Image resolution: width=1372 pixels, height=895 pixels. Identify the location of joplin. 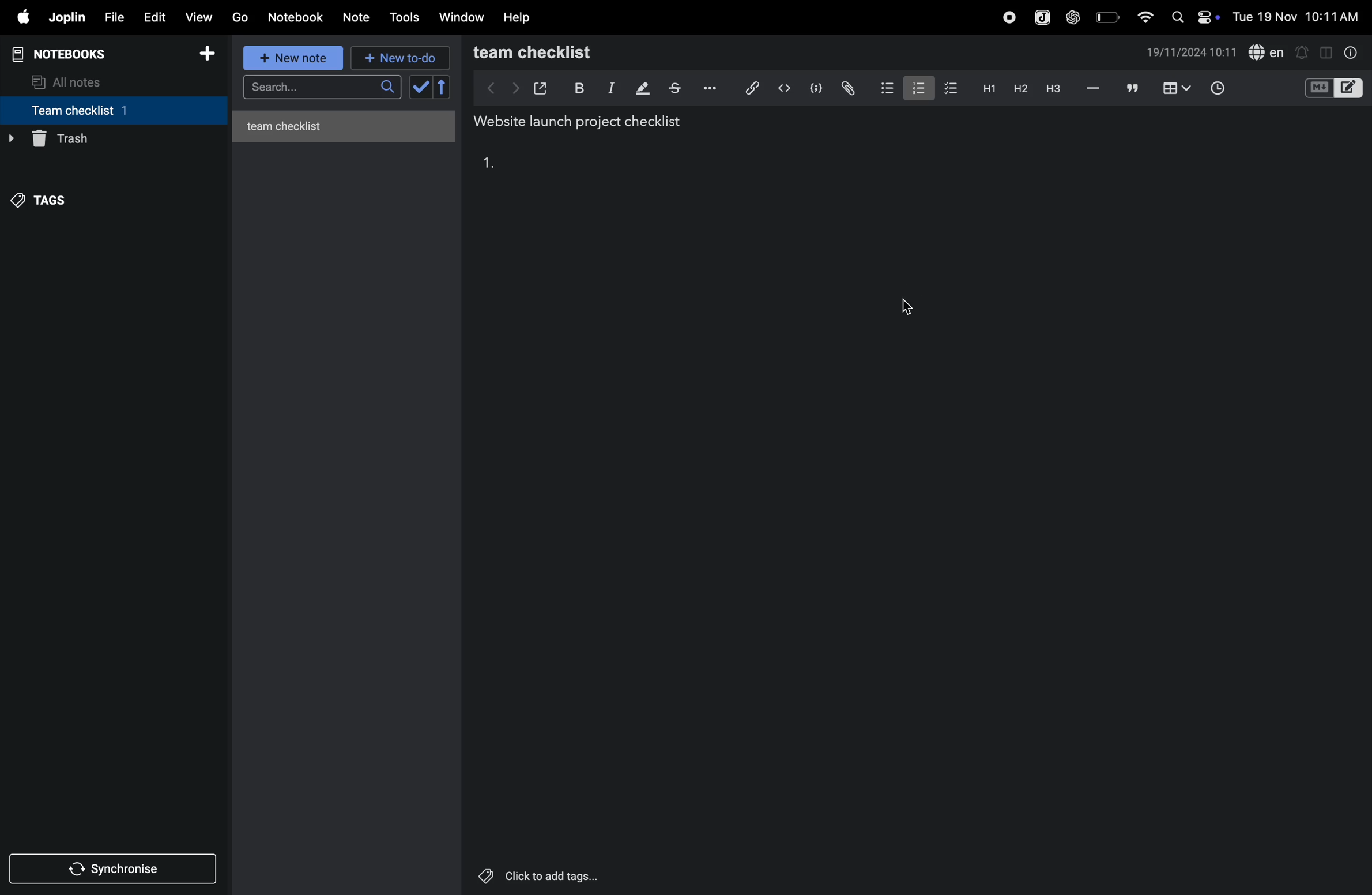
(1039, 16).